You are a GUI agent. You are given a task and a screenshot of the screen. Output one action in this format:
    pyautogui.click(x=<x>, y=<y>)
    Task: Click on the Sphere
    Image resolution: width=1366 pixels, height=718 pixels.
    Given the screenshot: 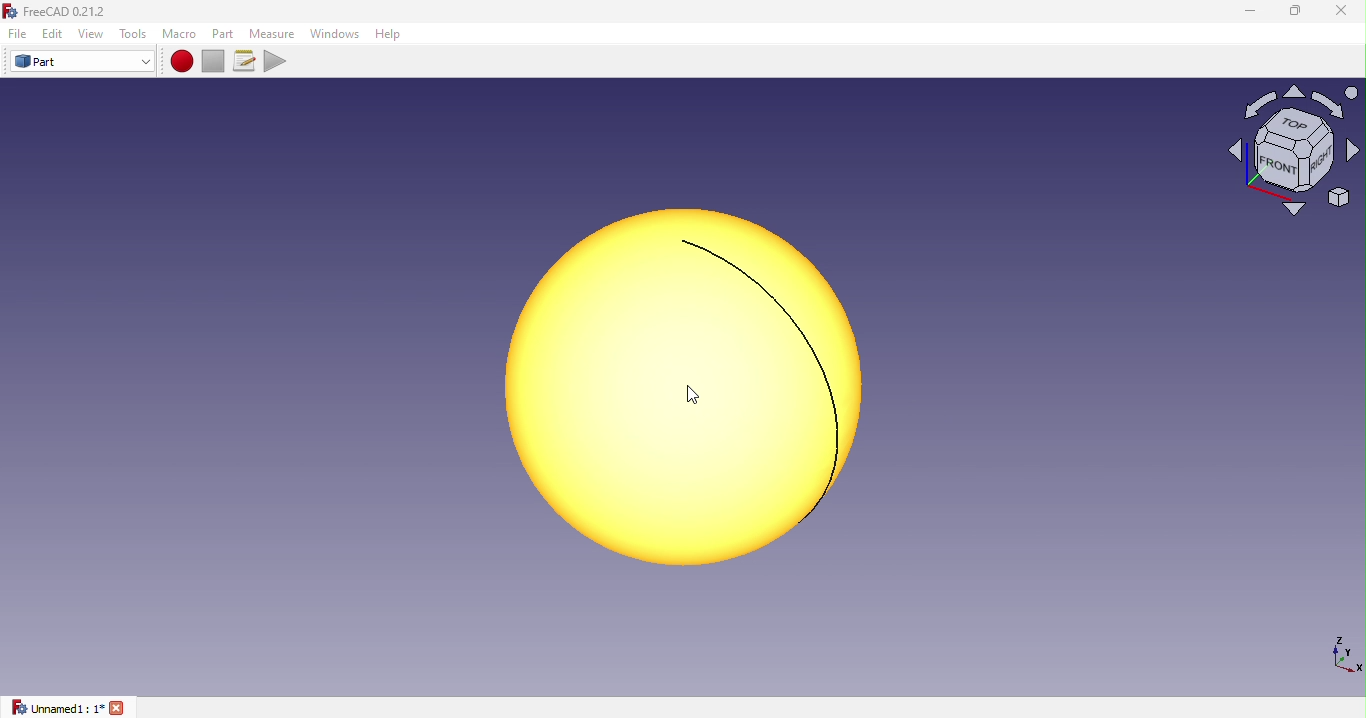 What is the action you would take?
    pyautogui.click(x=670, y=387)
    